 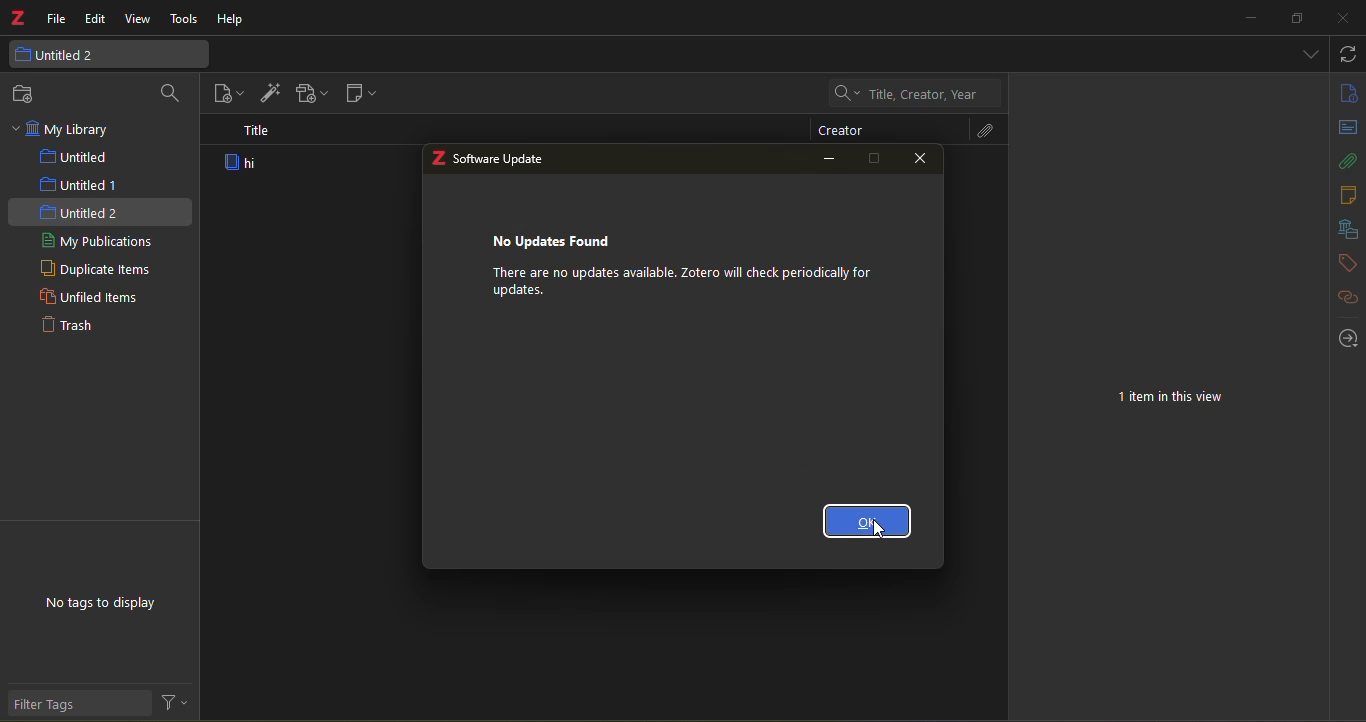 What do you see at coordinates (69, 323) in the screenshot?
I see `trash` at bounding box center [69, 323].